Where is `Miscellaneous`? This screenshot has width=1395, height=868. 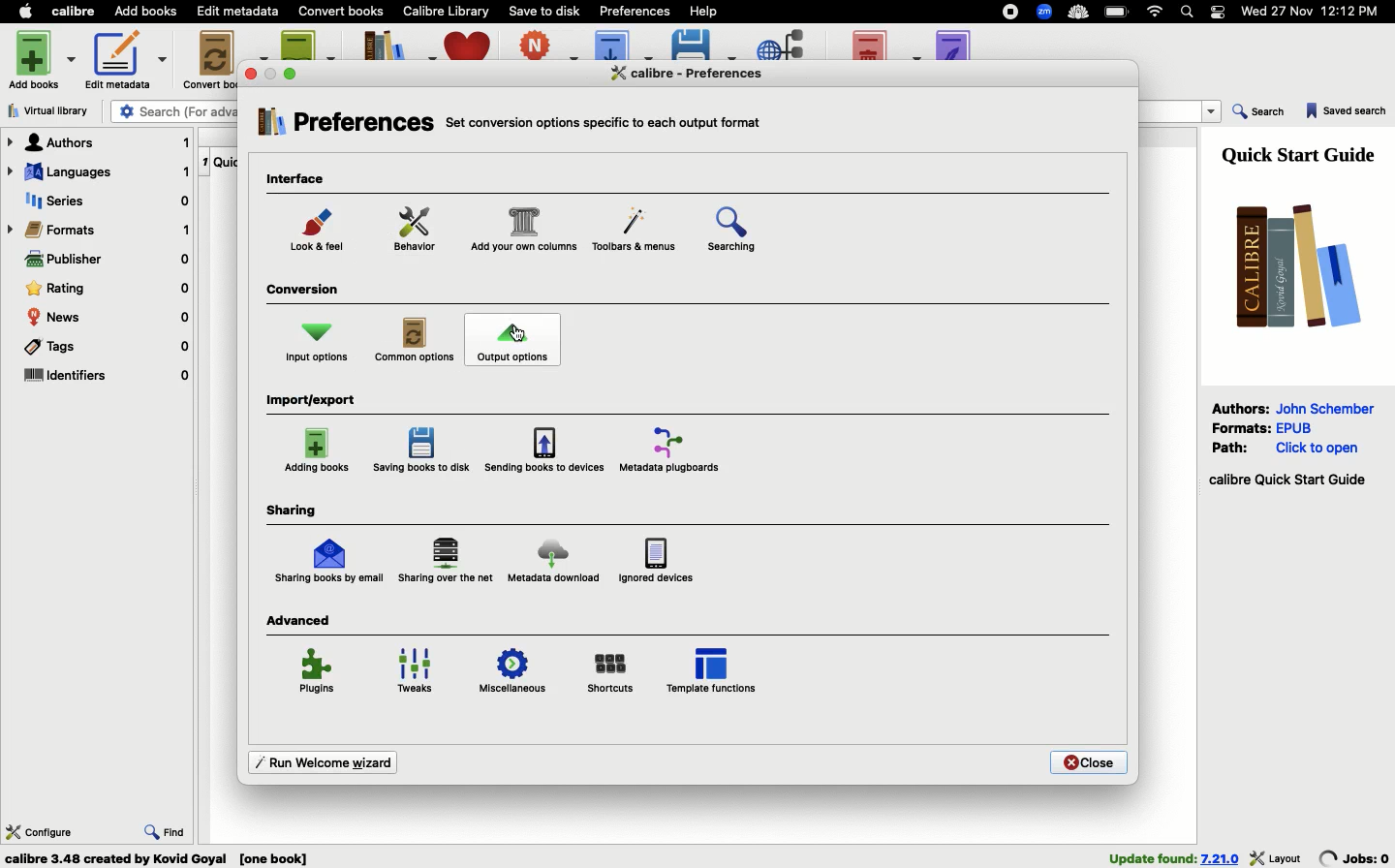 Miscellaneous is located at coordinates (512, 674).